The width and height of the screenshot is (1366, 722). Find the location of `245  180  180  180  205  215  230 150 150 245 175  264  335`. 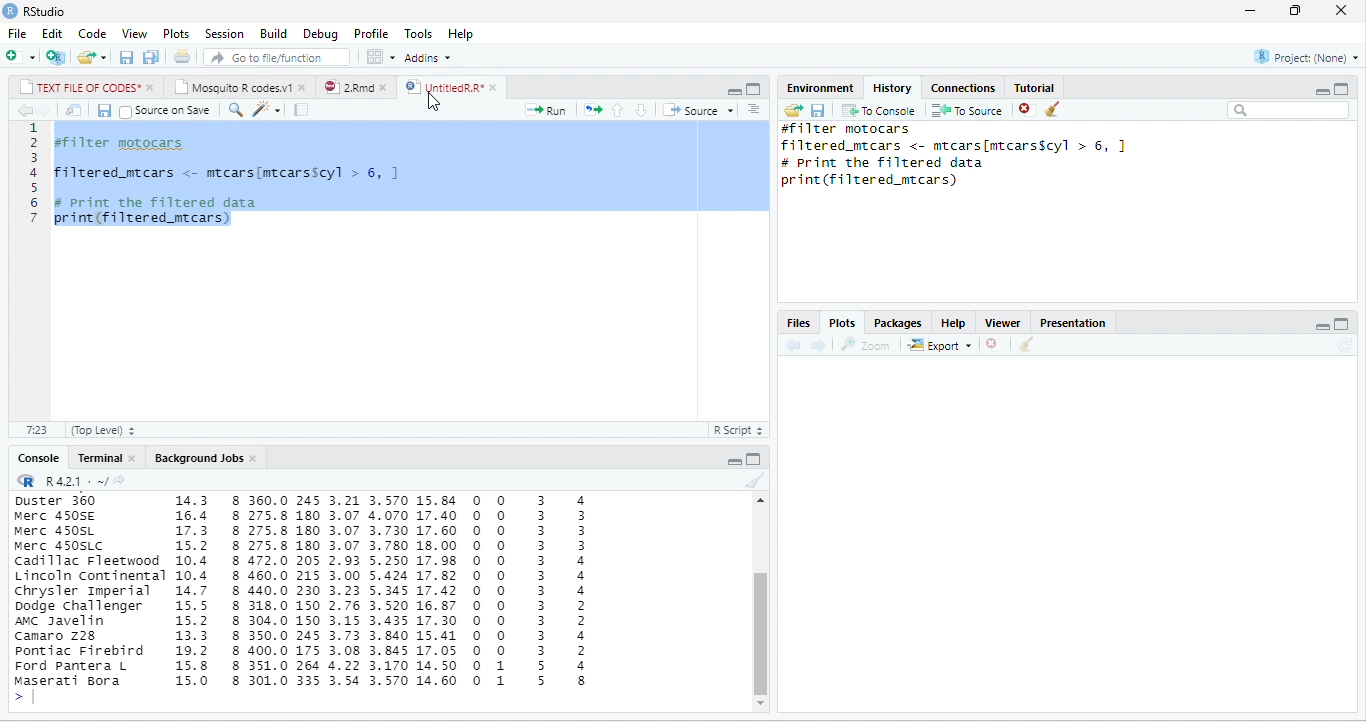

245  180  180  180  205  215  230 150 150 245 175  264  335 is located at coordinates (308, 592).